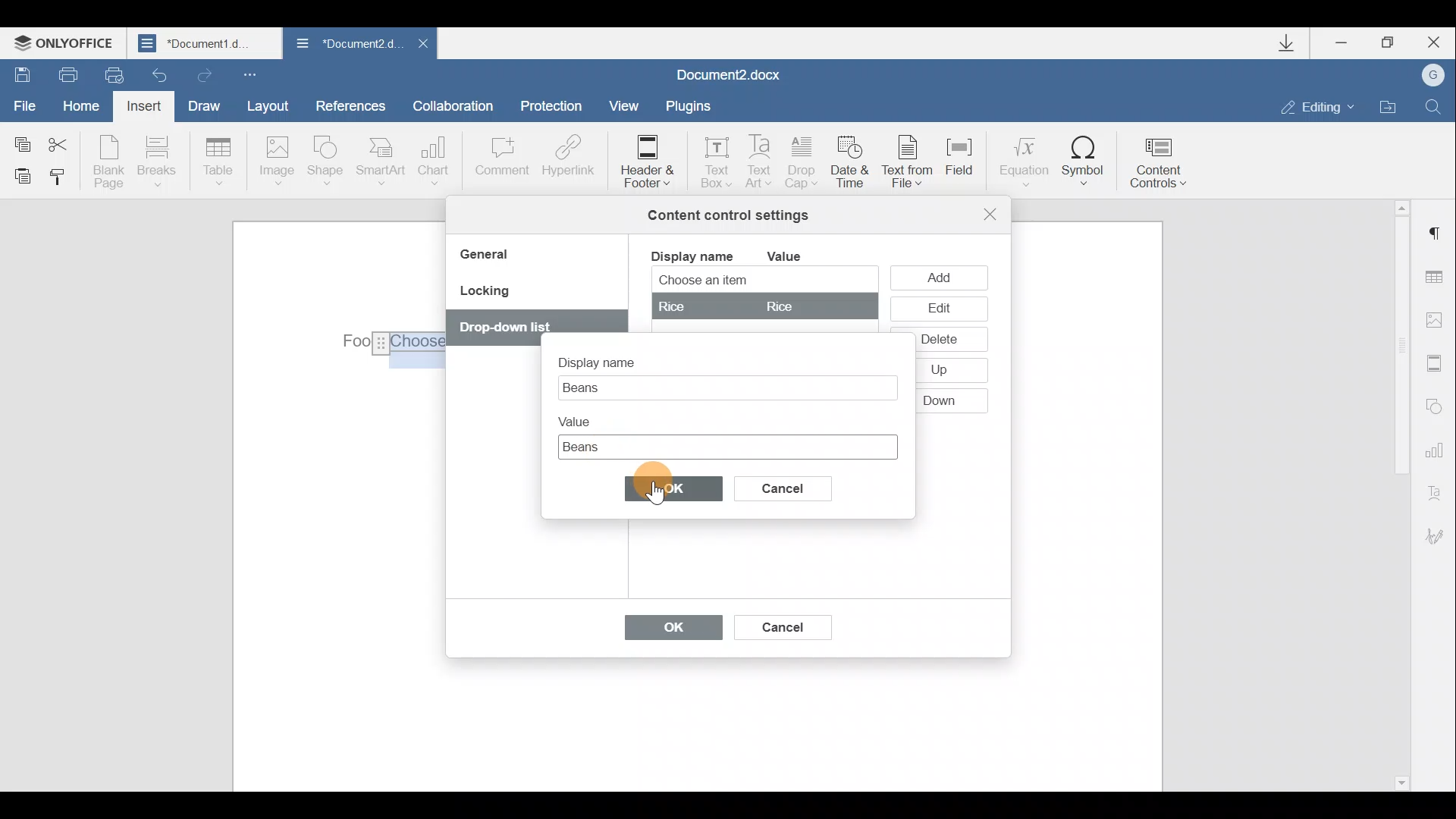  What do you see at coordinates (938, 309) in the screenshot?
I see `Edit` at bounding box center [938, 309].